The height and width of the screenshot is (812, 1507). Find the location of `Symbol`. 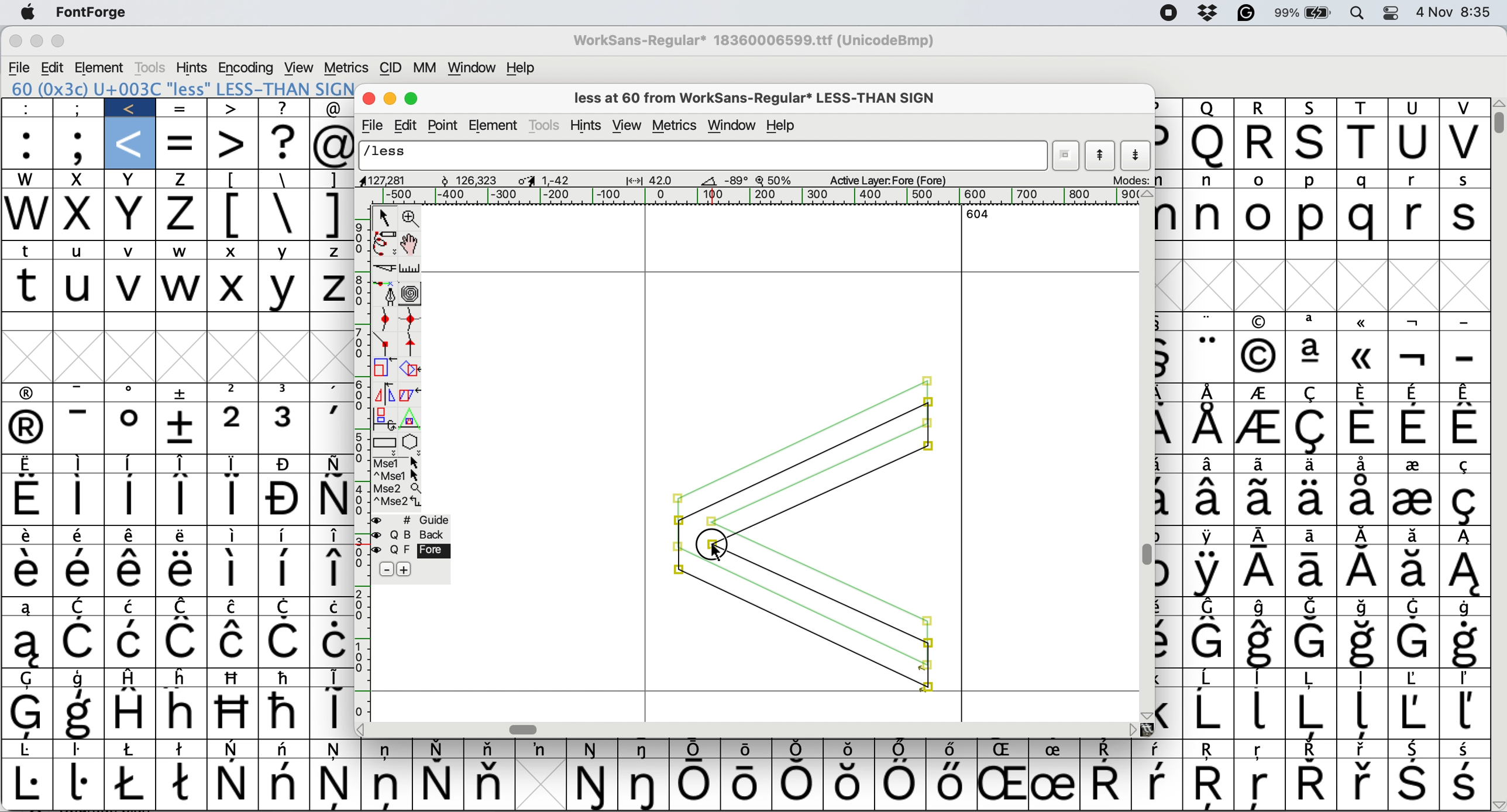

Symbol is located at coordinates (29, 713).